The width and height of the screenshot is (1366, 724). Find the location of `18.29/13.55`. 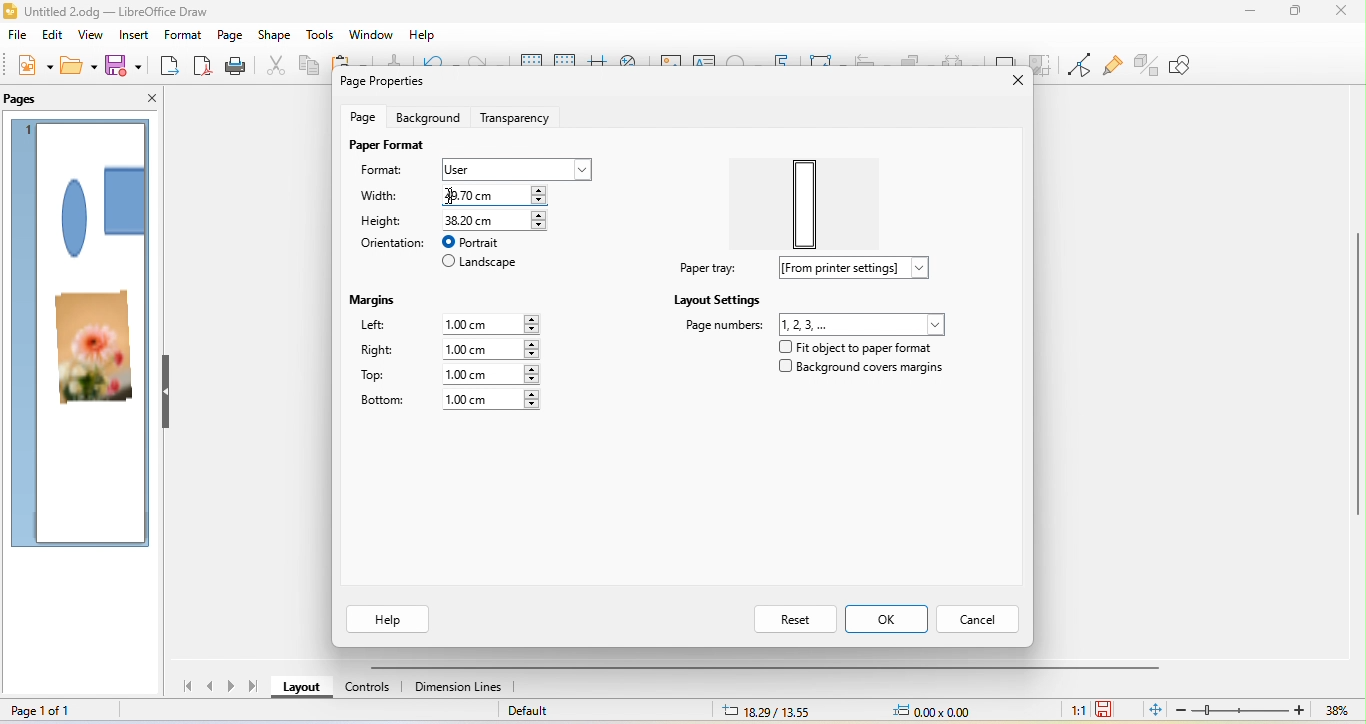

18.29/13.55 is located at coordinates (759, 712).